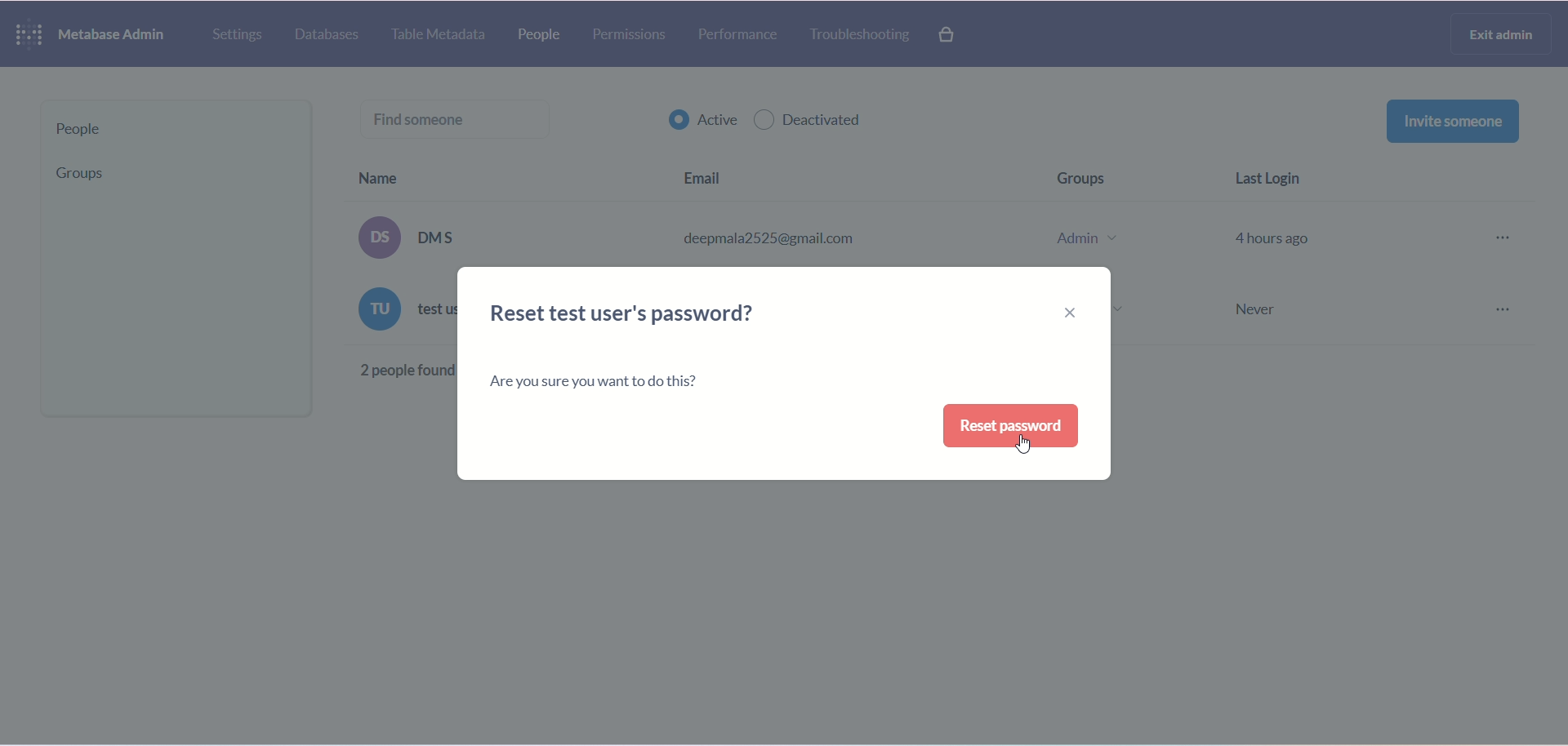  Describe the element at coordinates (741, 37) in the screenshot. I see `performance` at that location.